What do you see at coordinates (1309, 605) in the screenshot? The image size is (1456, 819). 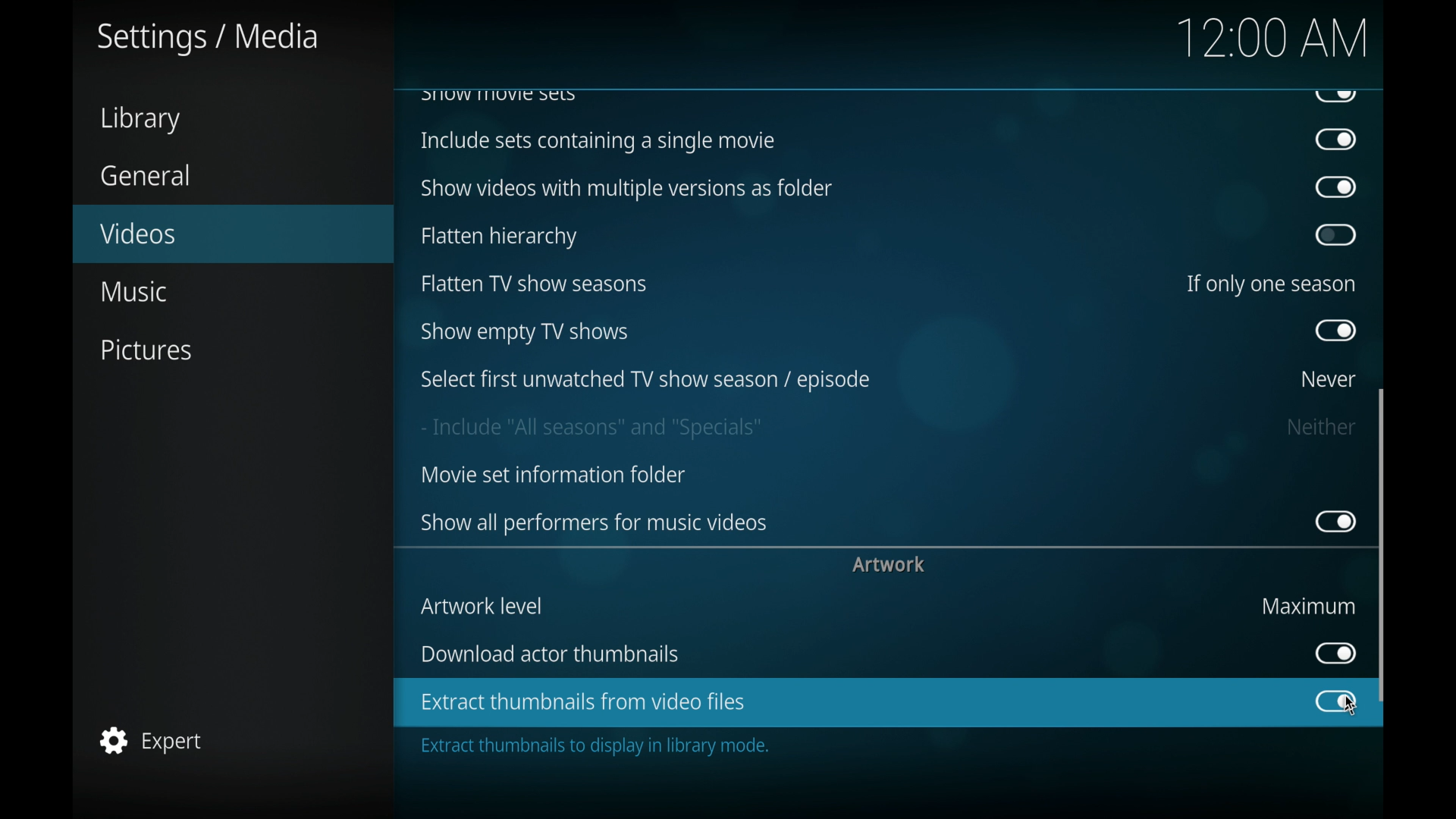 I see `maximum` at bounding box center [1309, 605].